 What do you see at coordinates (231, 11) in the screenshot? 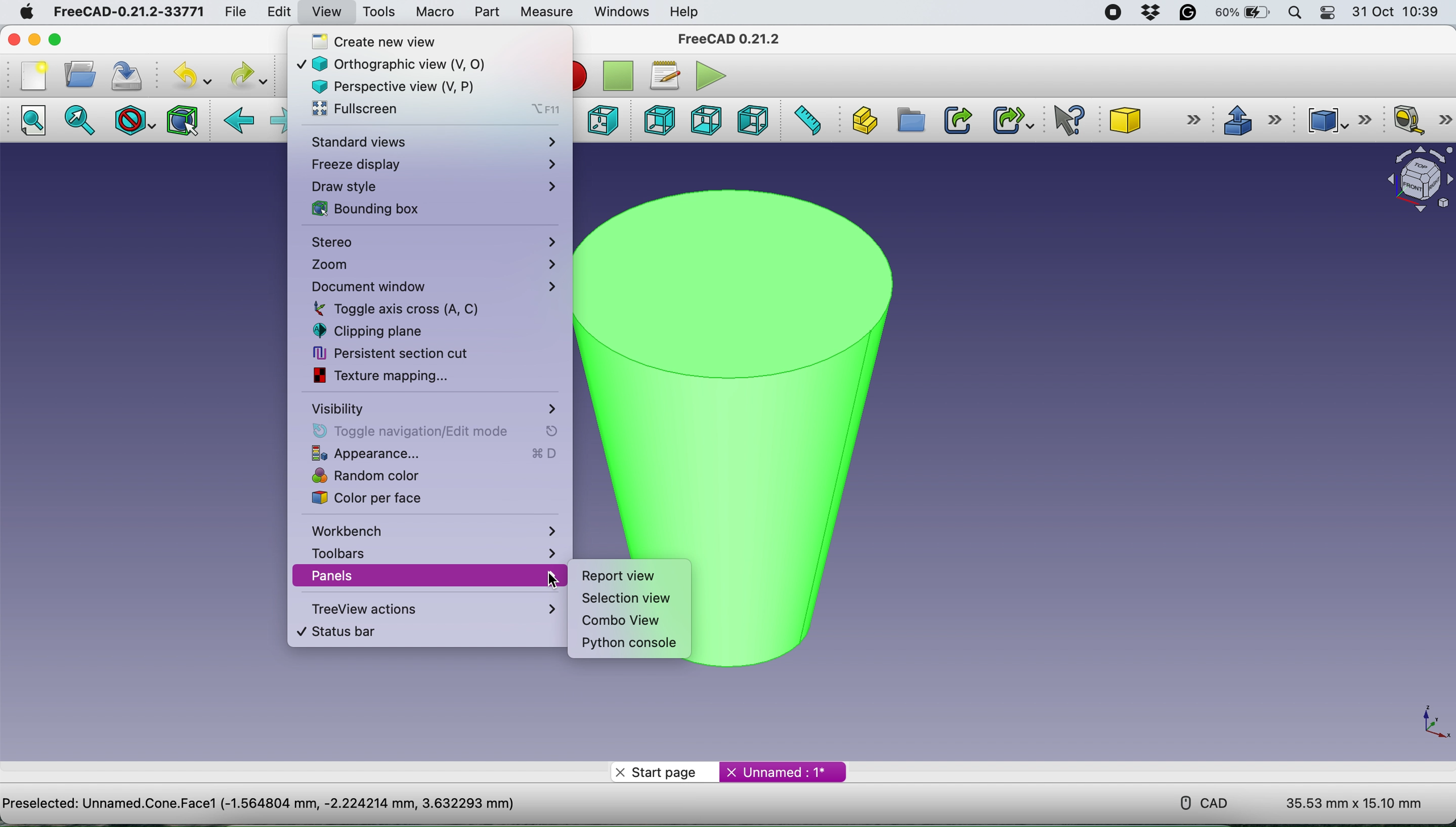
I see `file` at bounding box center [231, 11].